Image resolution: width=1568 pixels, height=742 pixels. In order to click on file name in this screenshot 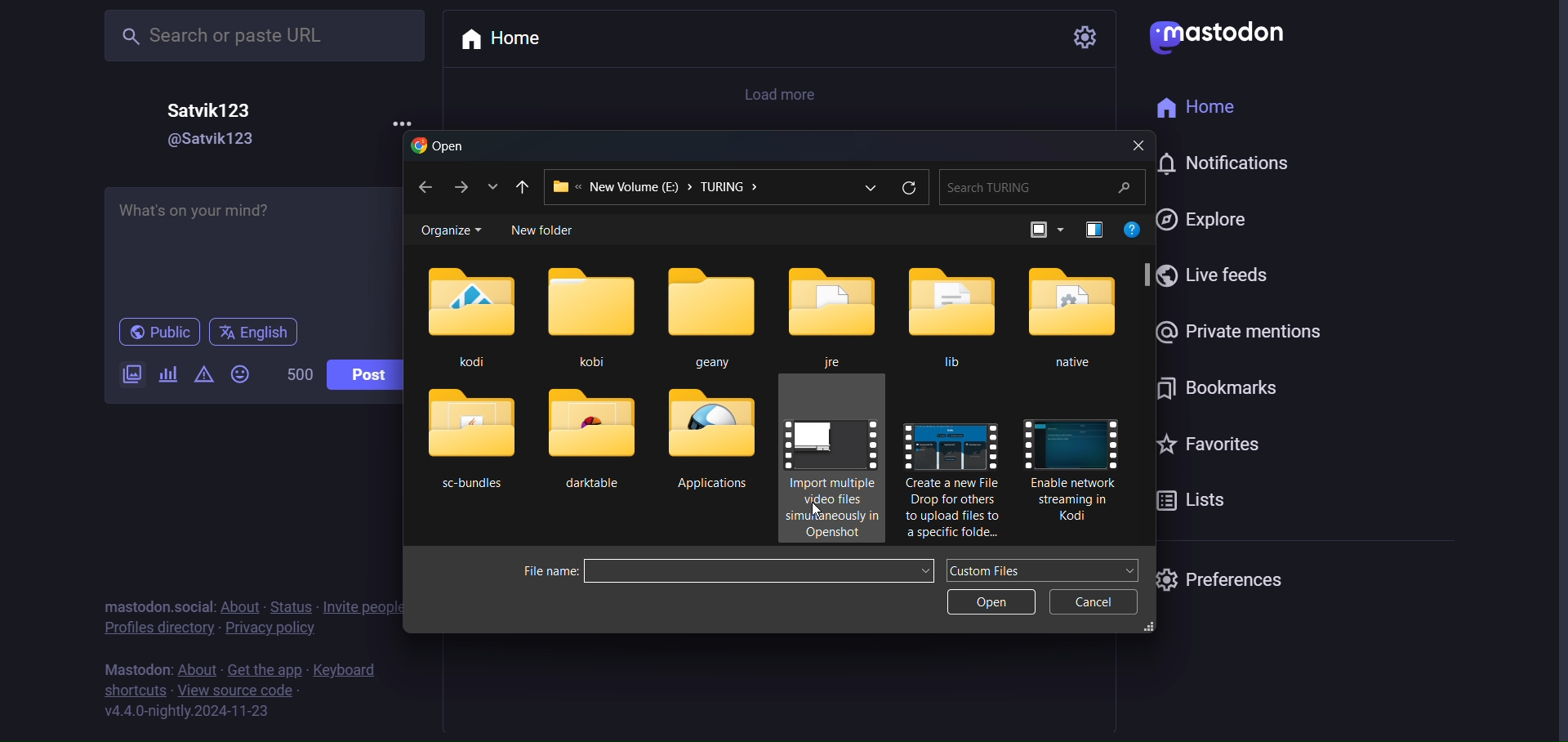, I will do `click(548, 571)`.